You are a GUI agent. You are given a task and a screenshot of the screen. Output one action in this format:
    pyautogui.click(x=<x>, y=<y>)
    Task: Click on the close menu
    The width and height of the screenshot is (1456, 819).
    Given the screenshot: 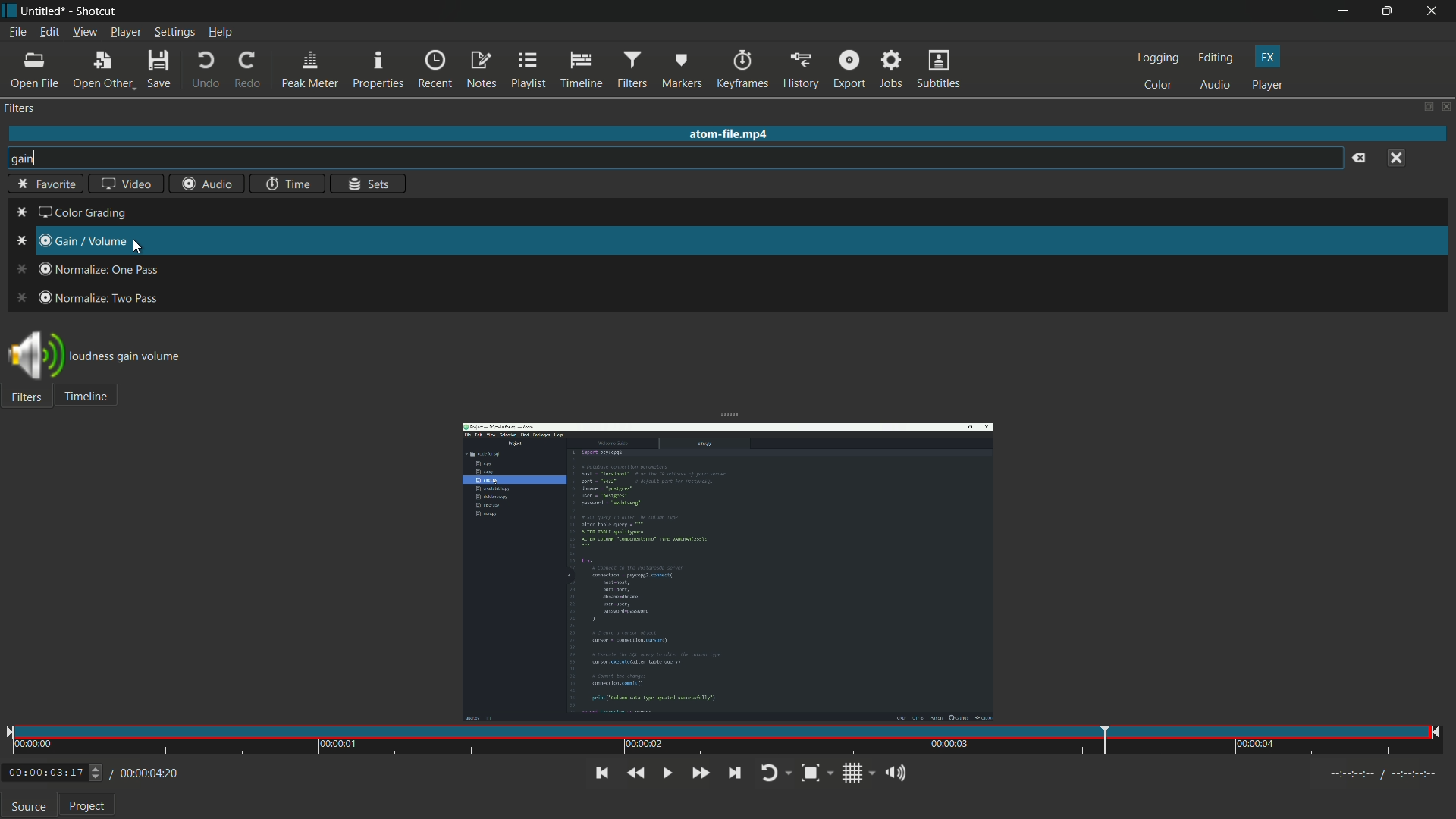 What is the action you would take?
    pyautogui.click(x=1396, y=159)
    